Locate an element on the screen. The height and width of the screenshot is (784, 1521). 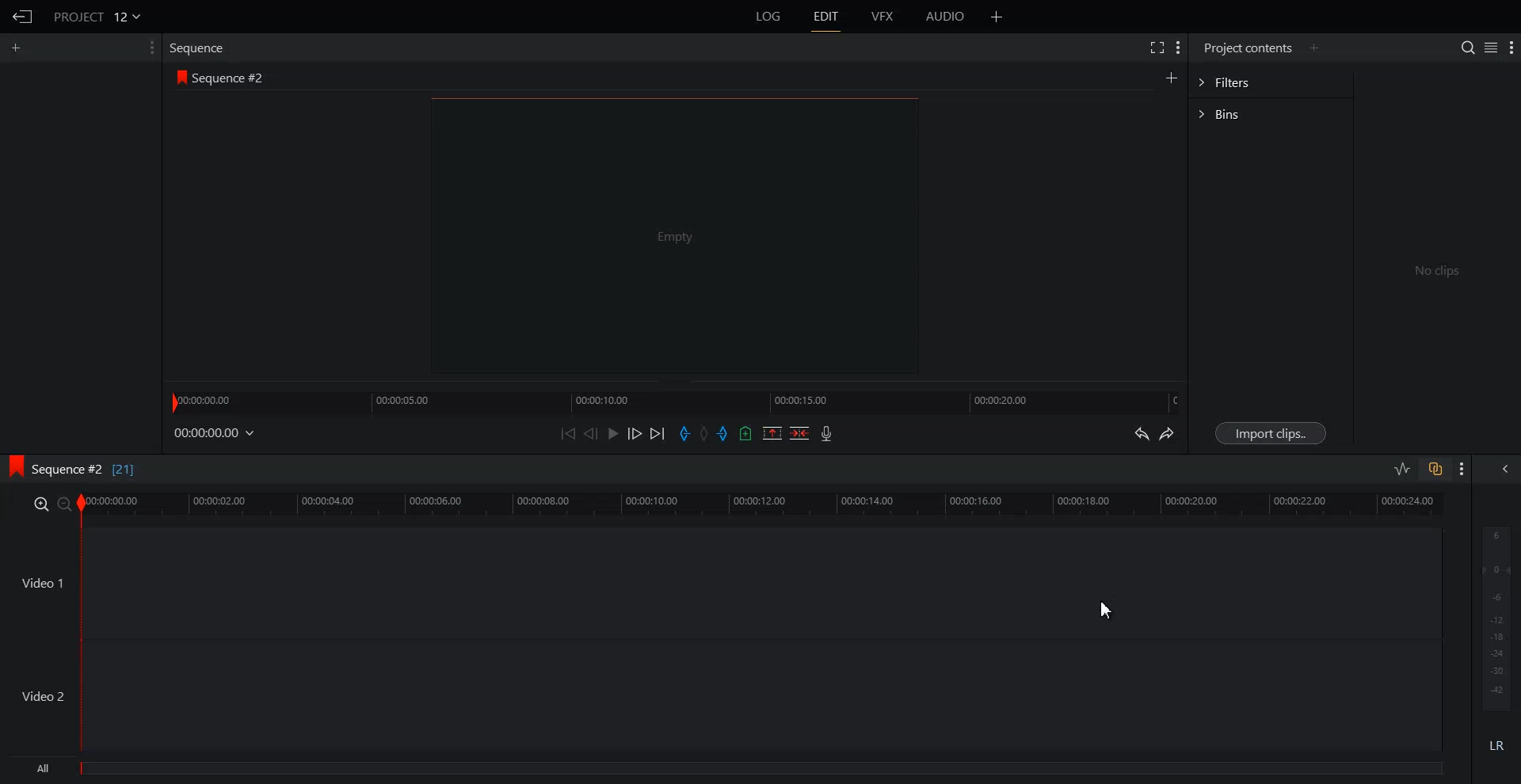
Sequence #2 is located at coordinates (233, 78).